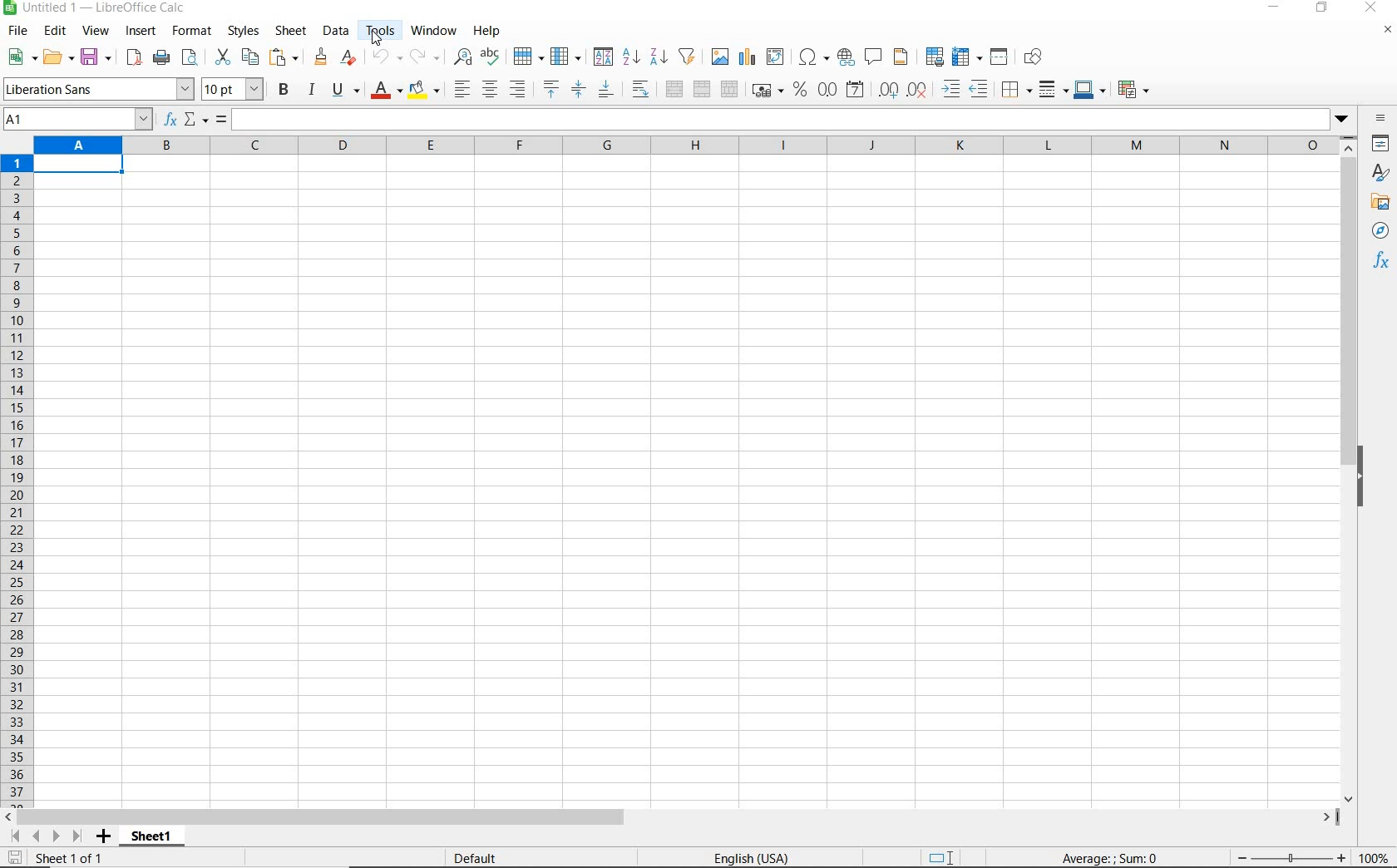 This screenshot has width=1397, height=868. I want to click on align center, so click(488, 89).